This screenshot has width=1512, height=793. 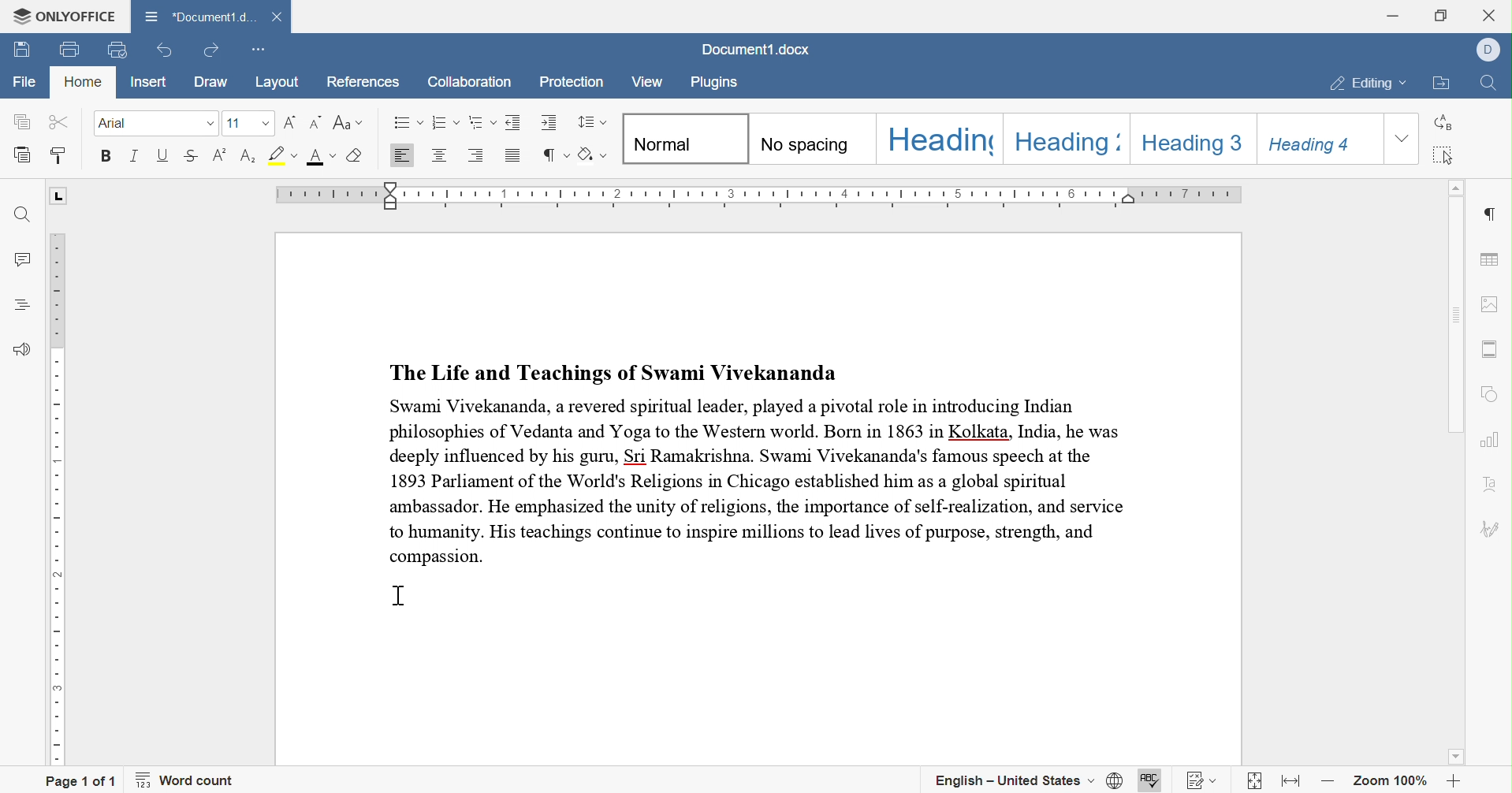 What do you see at coordinates (549, 121) in the screenshot?
I see `increase indent` at bounding box center [549, 121].